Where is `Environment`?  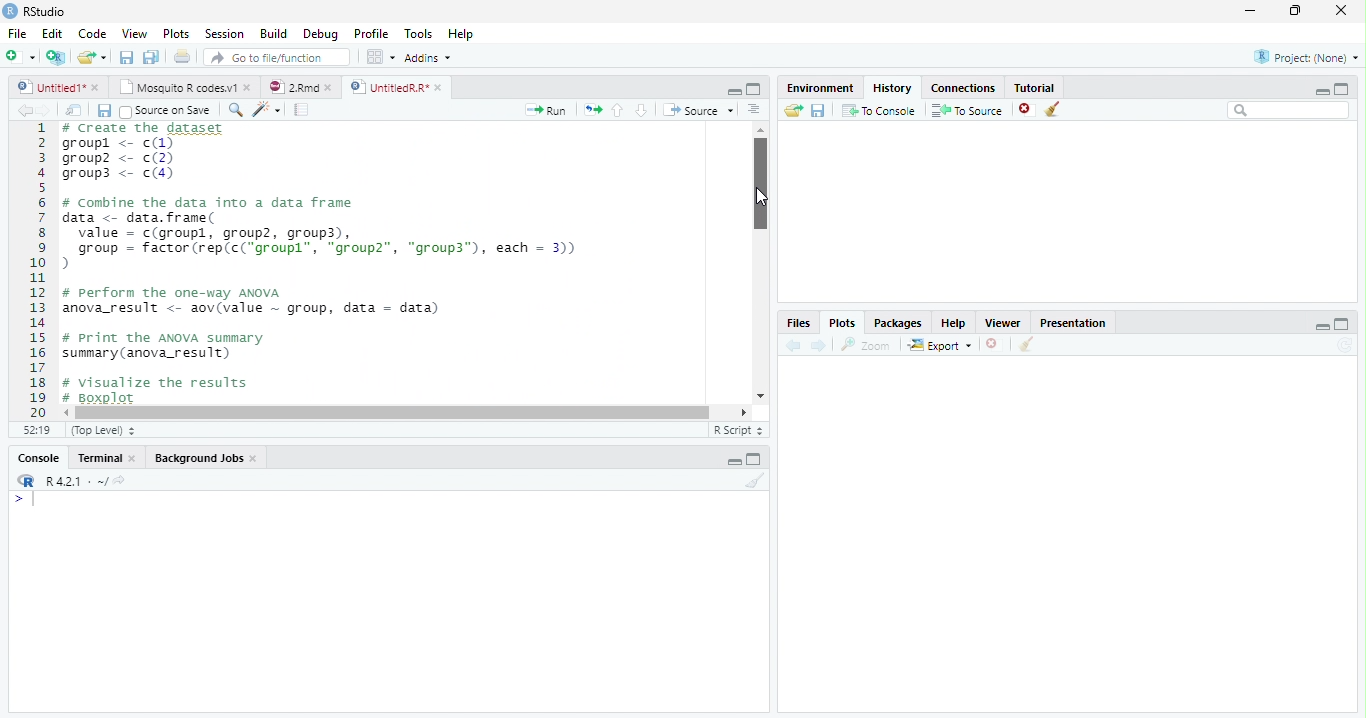
Environment is located at coordinates (820, 88).